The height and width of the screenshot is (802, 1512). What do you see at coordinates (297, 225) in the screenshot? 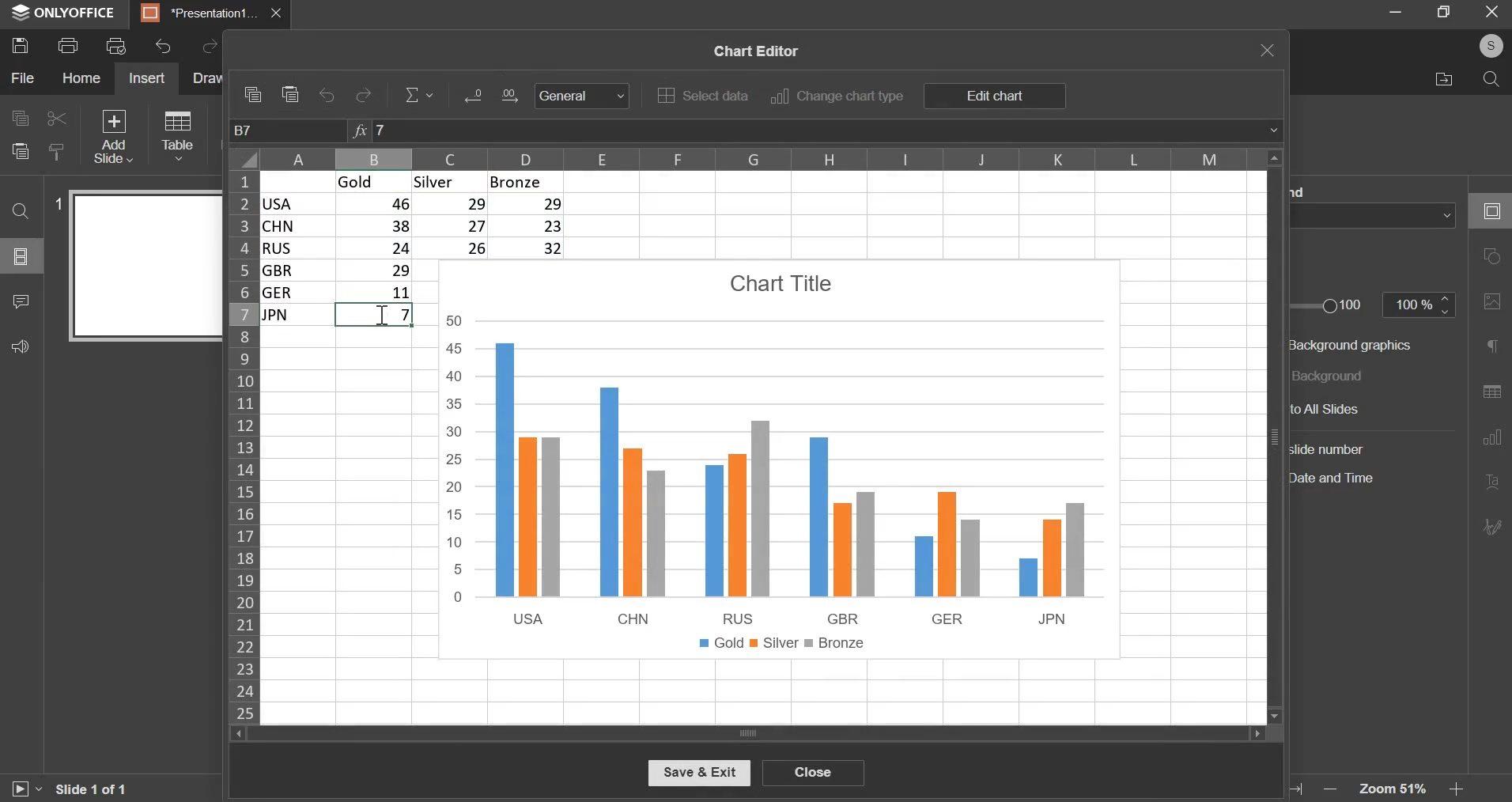
I see `chn` at bounding box center [297, 225].